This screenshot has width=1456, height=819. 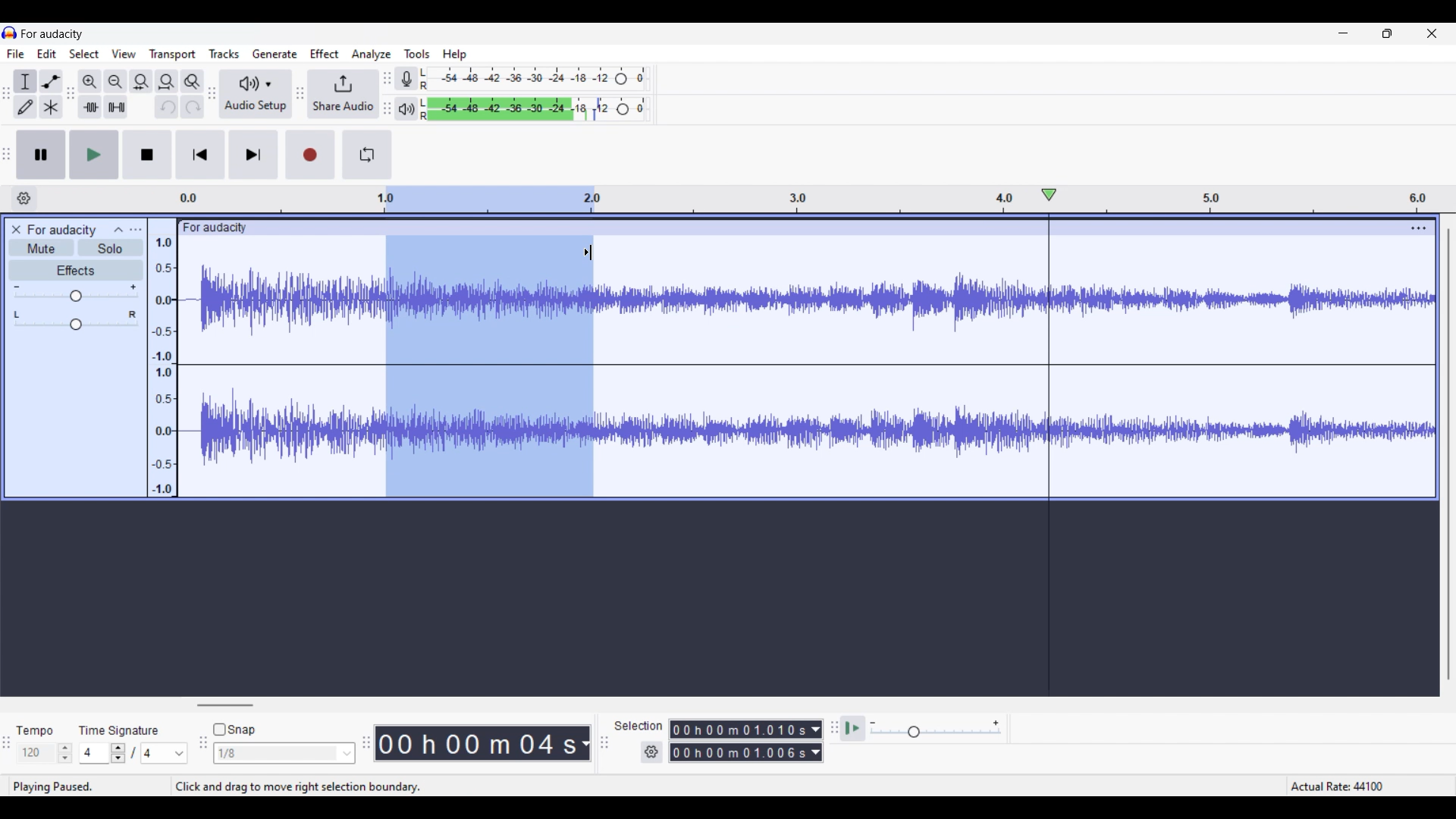 I want to click on Pause, so click(x=41, y=155).